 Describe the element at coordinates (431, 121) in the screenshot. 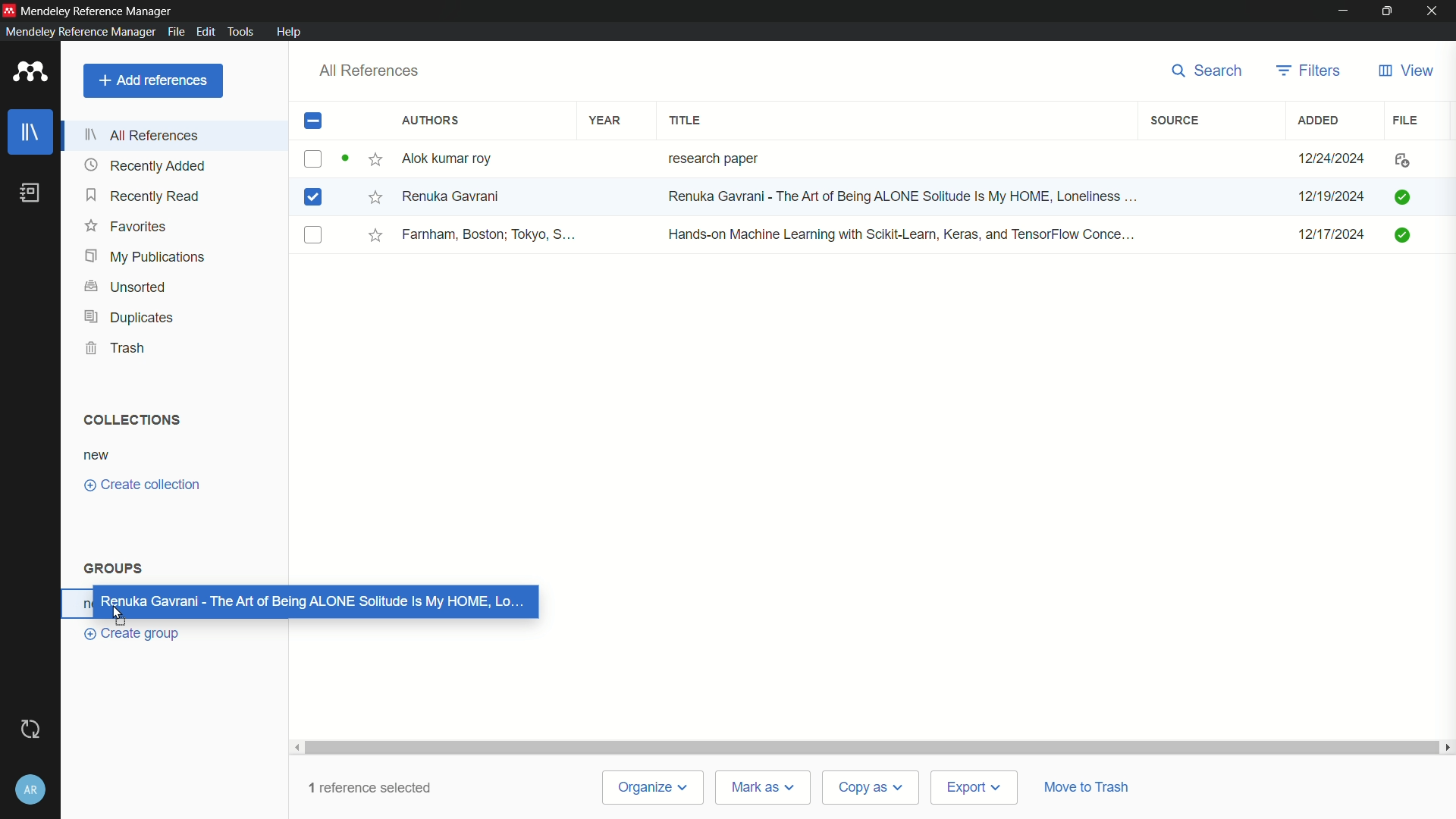

I see `authors` at that location.